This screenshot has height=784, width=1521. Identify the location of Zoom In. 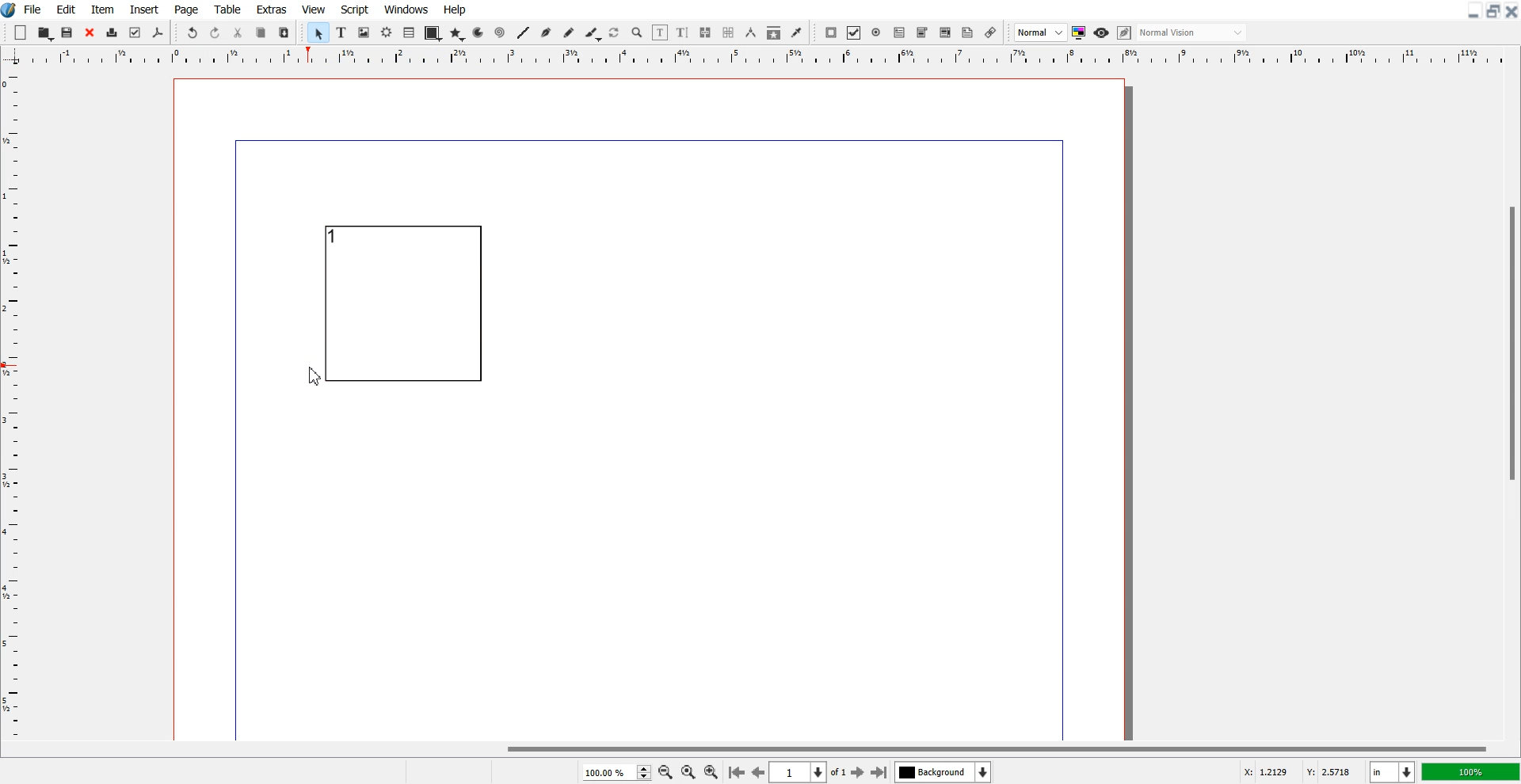
(711, 771).